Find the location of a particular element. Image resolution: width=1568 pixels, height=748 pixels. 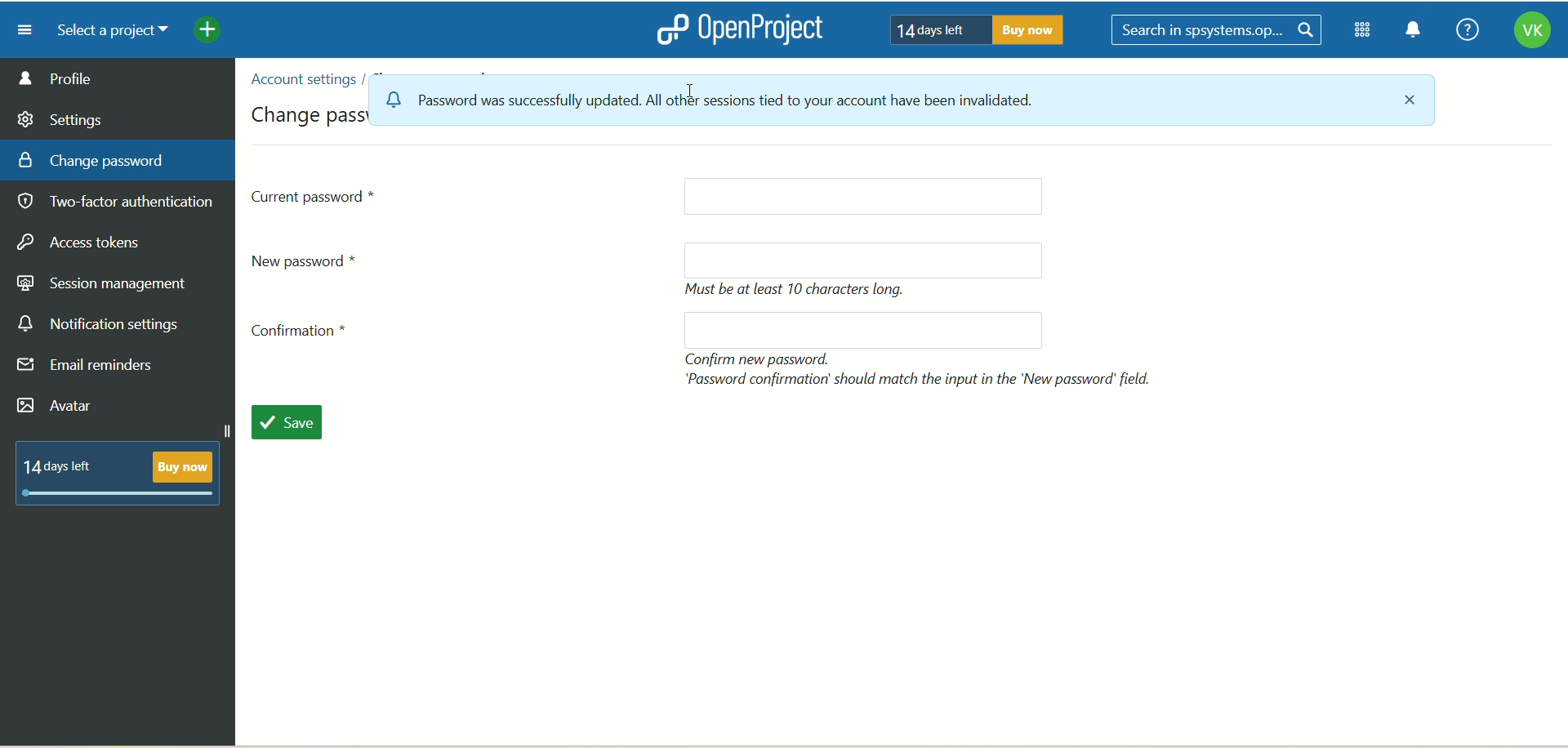

openproject is located at coordinates (736, 29).